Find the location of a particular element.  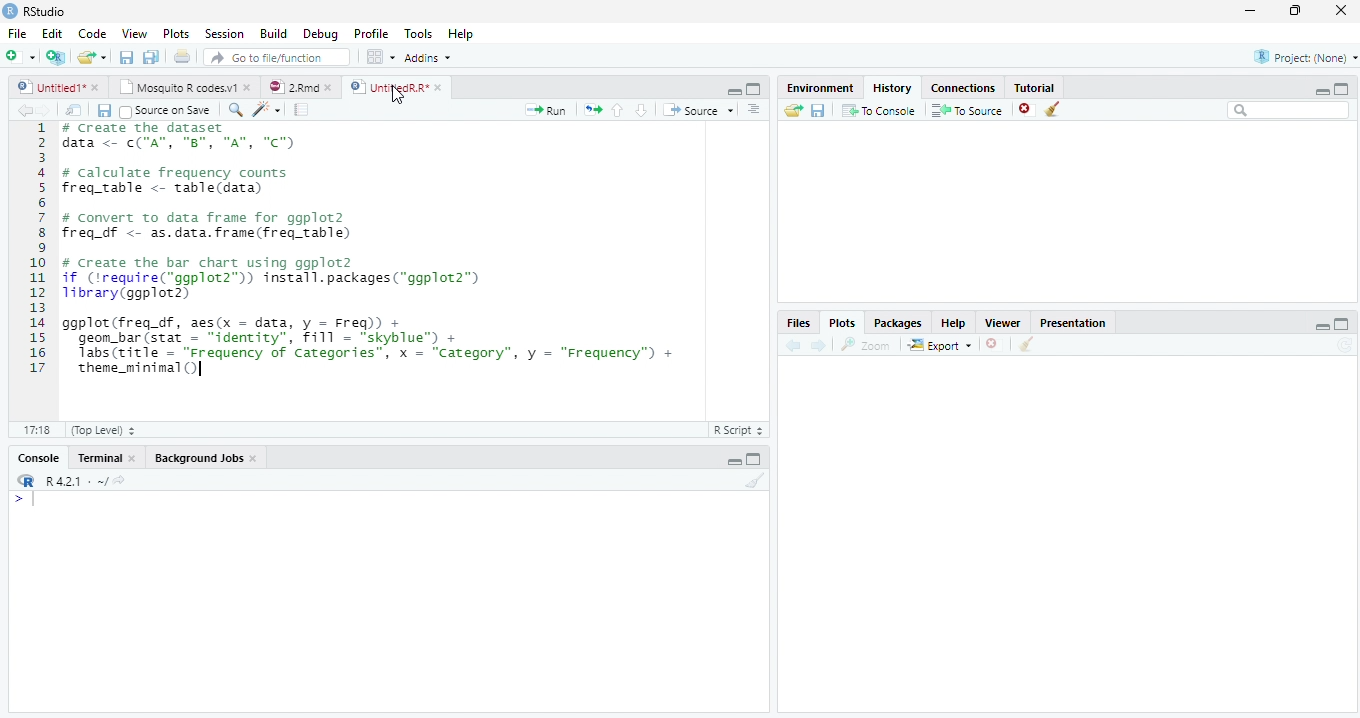

Workspace panes is located at coordinates (378, 57).